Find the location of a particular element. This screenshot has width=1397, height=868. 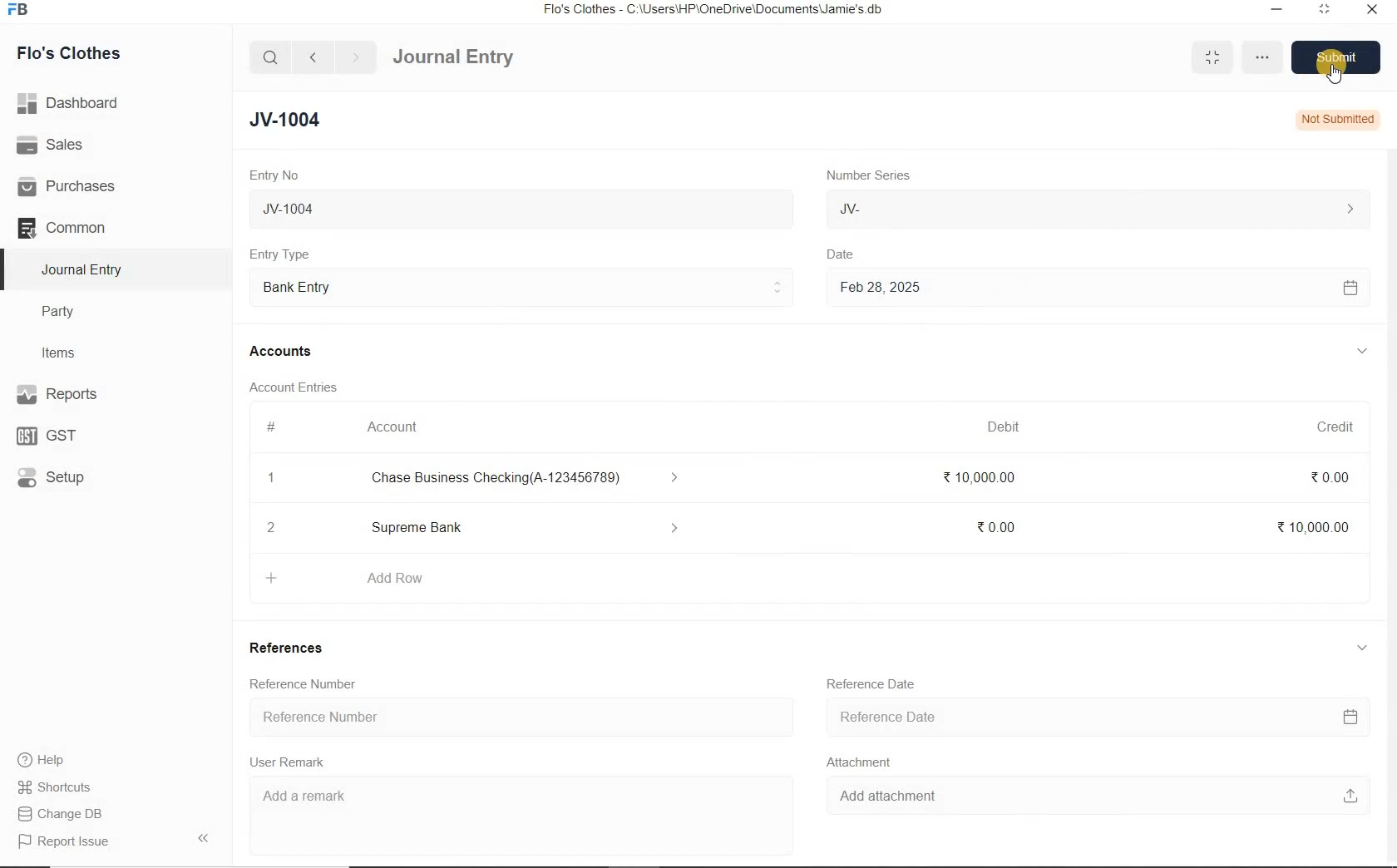

help is located at coordinates (42, 760).